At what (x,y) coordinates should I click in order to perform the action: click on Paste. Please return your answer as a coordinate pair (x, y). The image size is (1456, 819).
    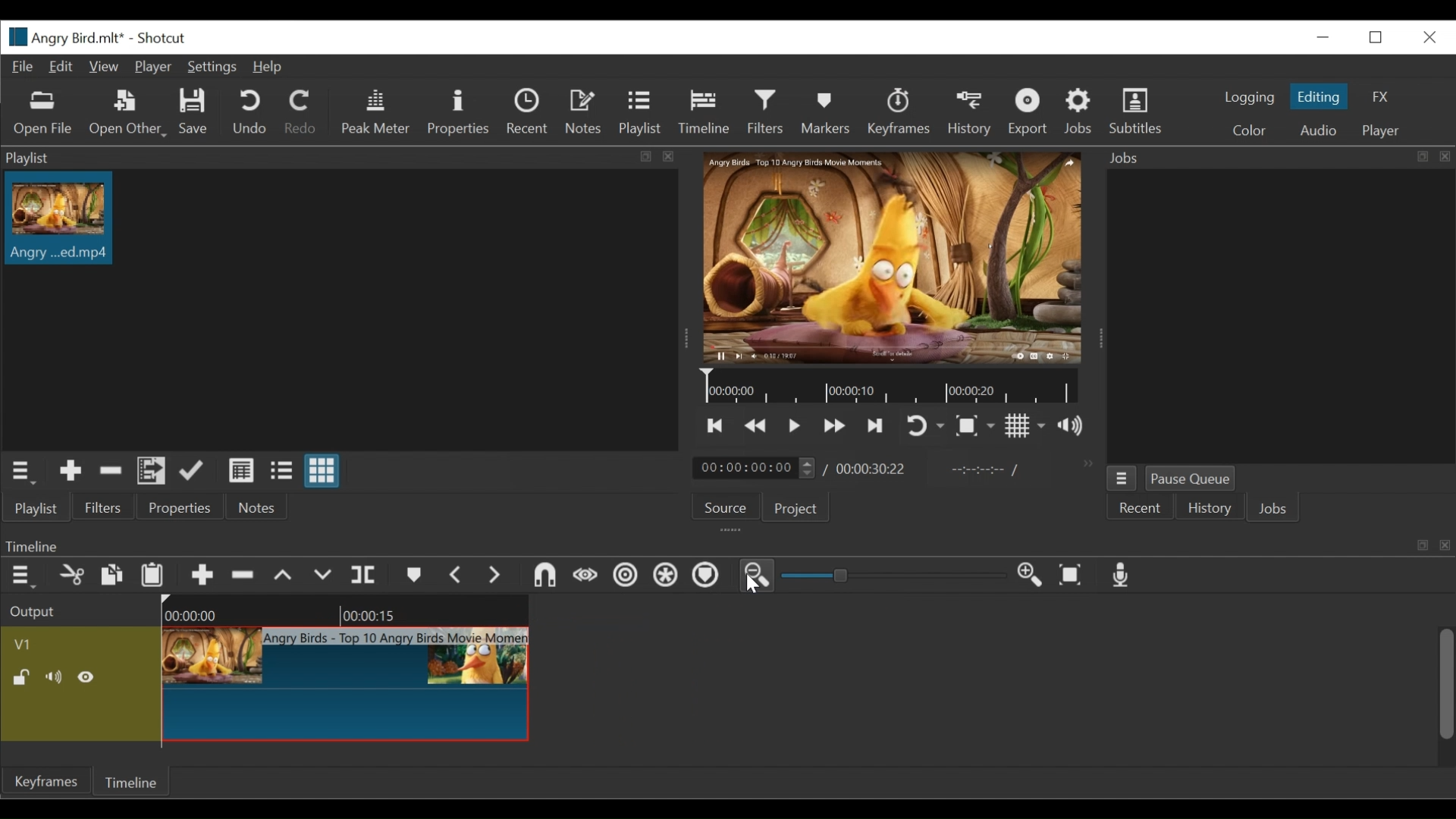
    Looking at the image, I should click on (154, 573).